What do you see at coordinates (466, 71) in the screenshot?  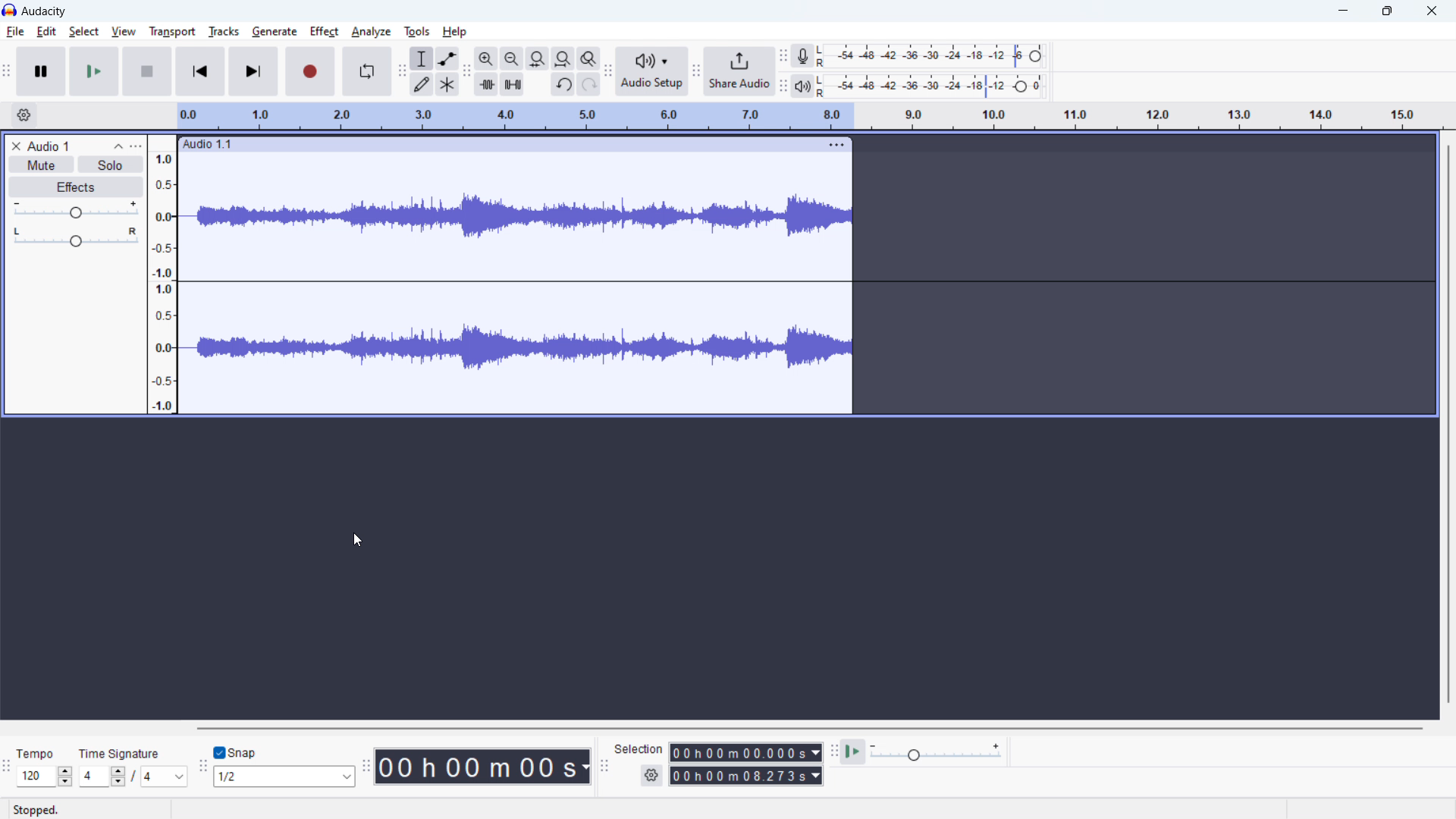 I see `edit toolbar` at bounding box center [466, 71].